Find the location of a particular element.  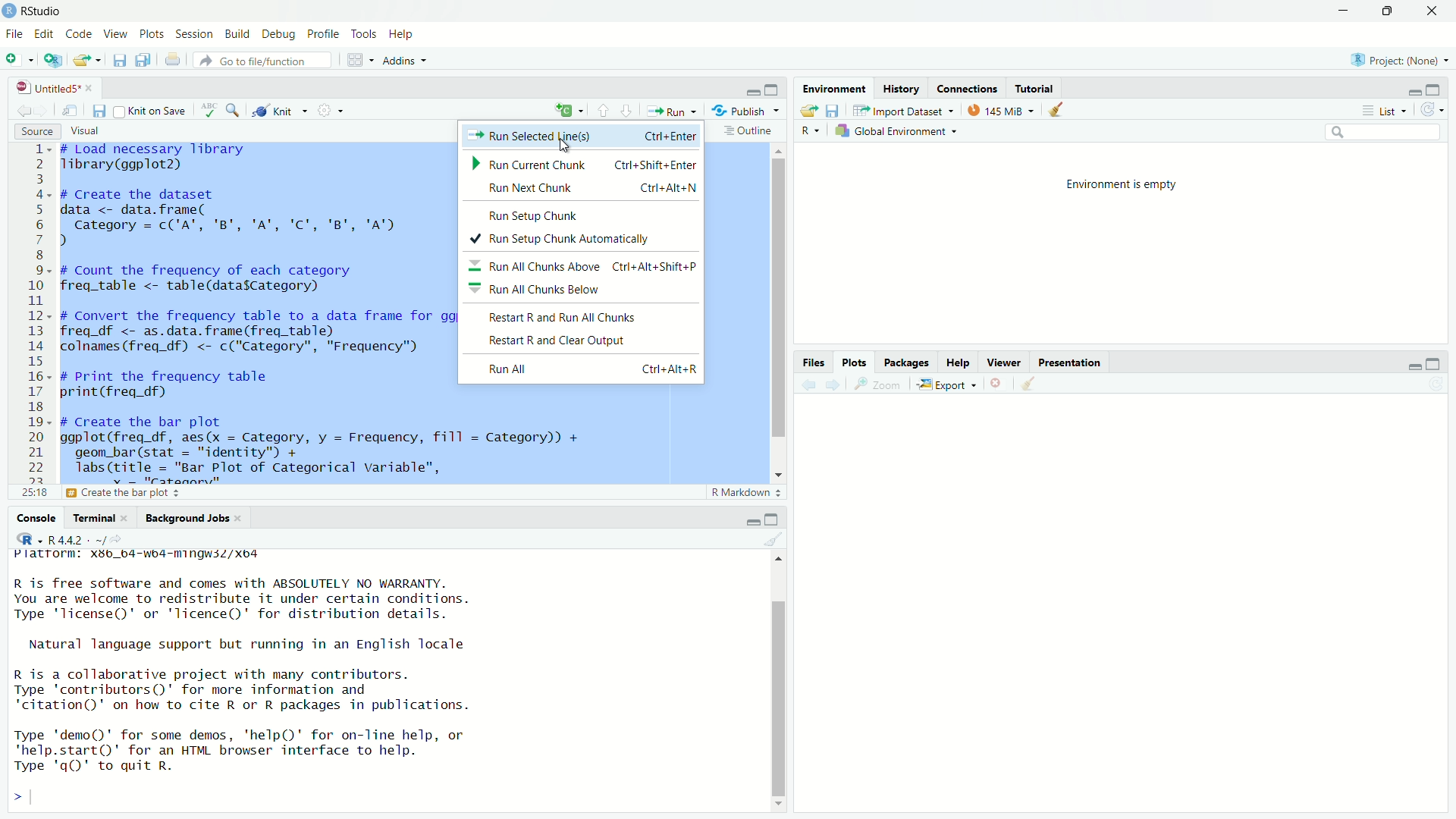

open in new window is located at coordinates (52, 61).